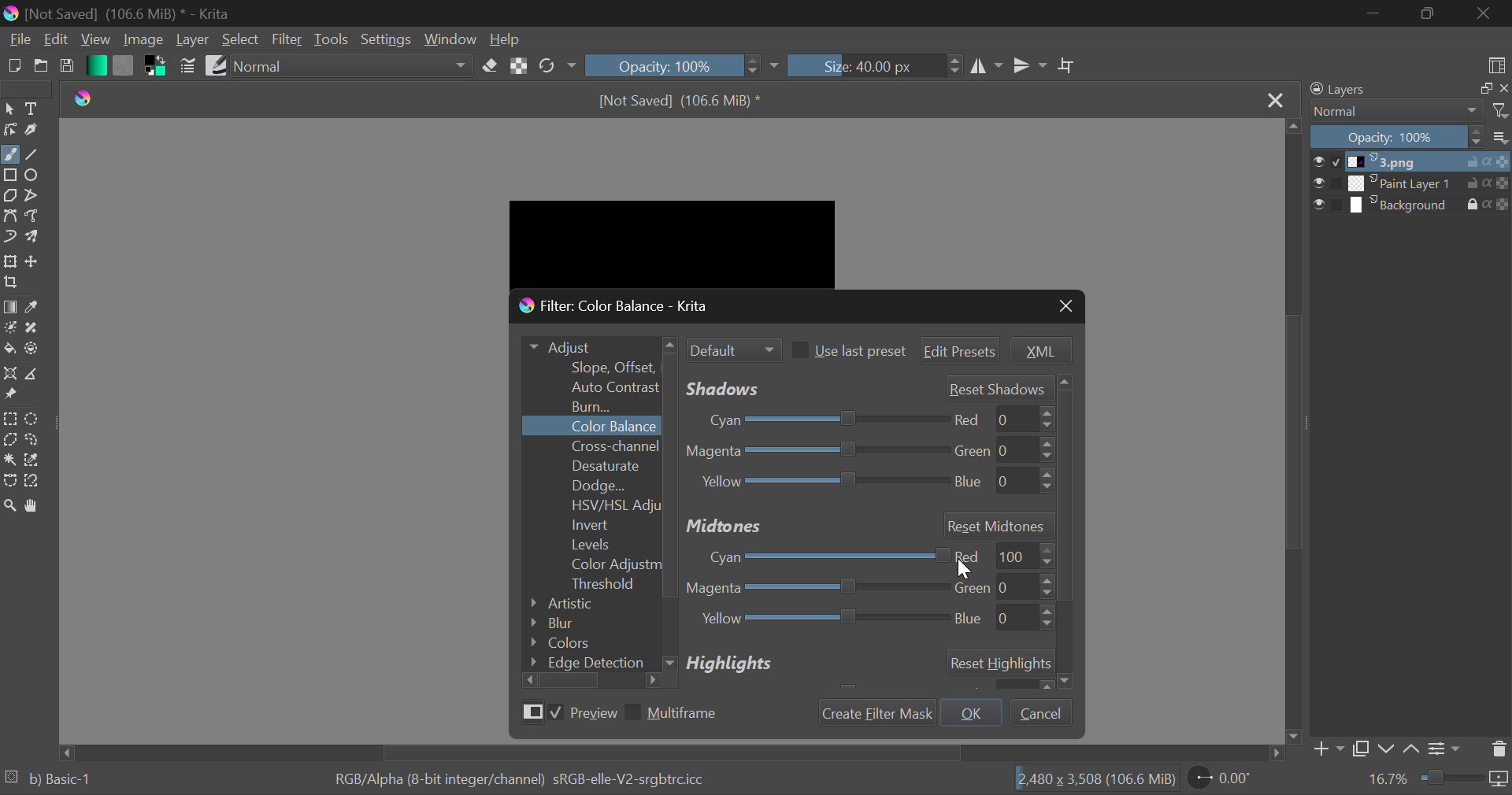 This screenshot has width=1512, height=795. Describe the element at coordinates (35, 176) in the screenshot. I see `Ellipses` at that location.